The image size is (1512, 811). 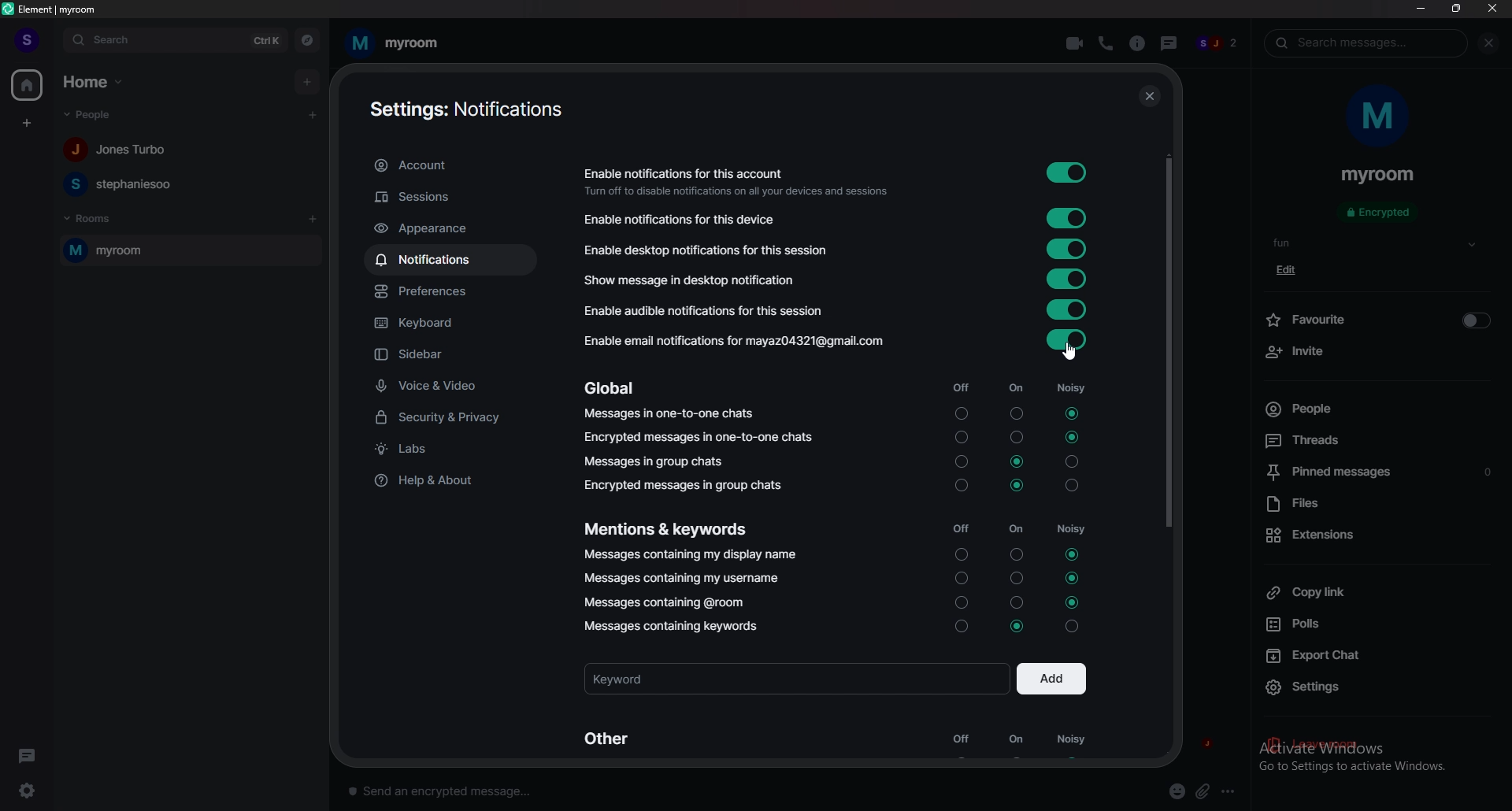 What do you see at coordinates (190, 250) in the screenshot?
I see `room` at bounding box center [190, 250].